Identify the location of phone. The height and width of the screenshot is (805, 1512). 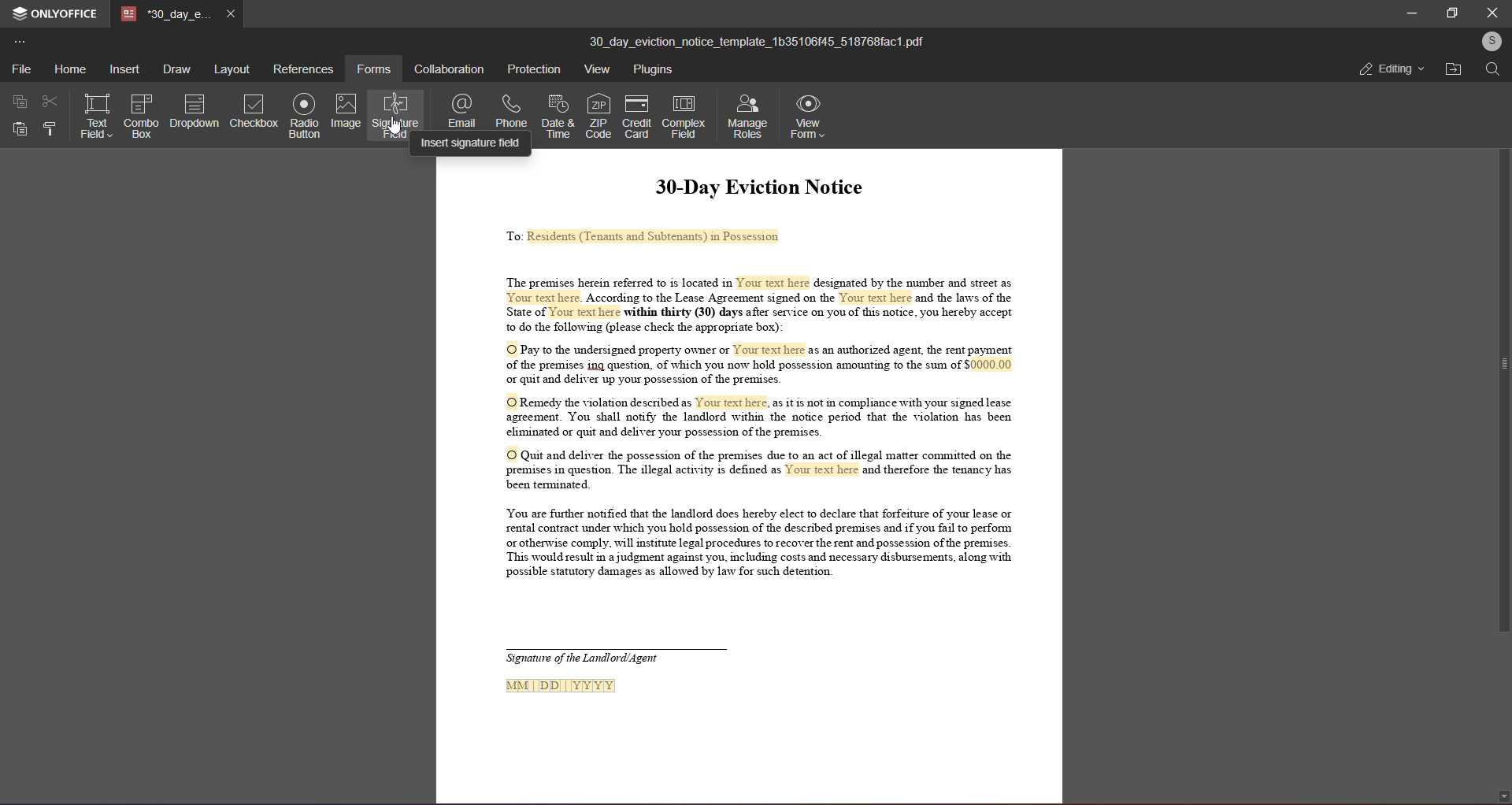
(512, 108).